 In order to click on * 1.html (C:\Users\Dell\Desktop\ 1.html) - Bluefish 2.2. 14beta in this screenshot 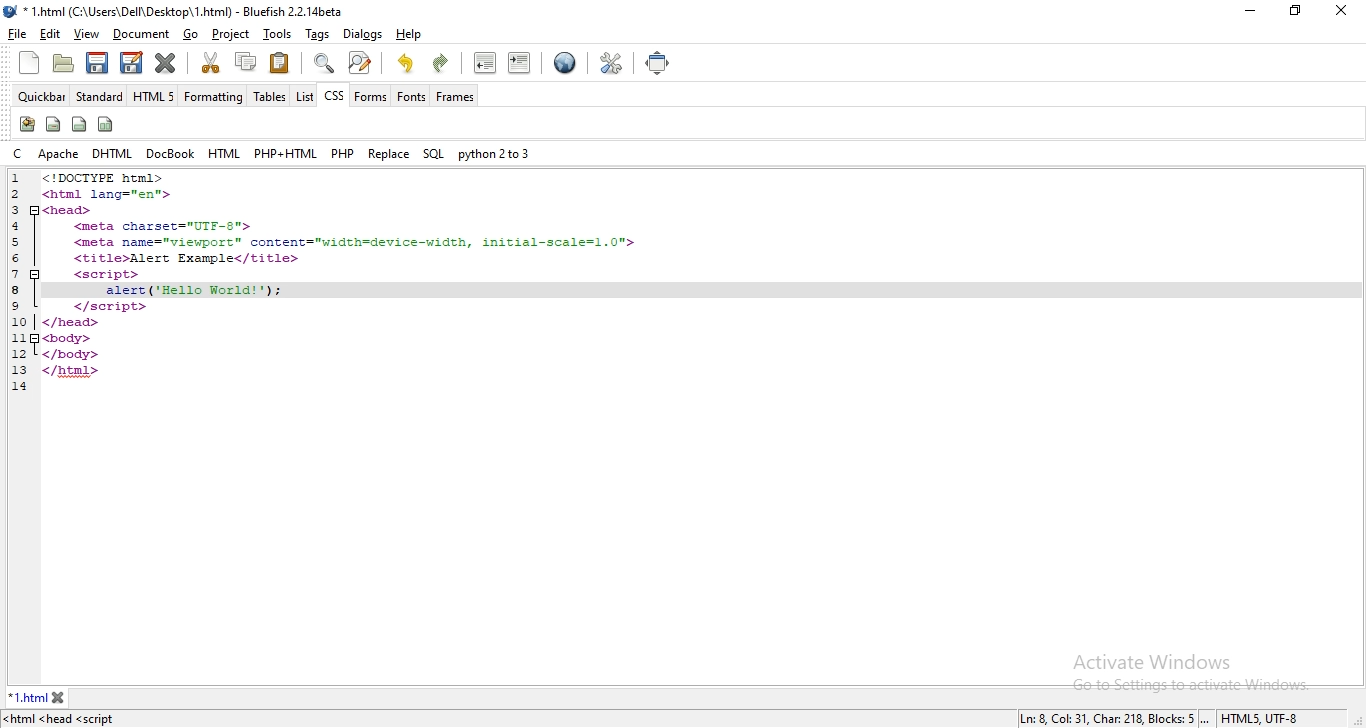, I will do `click(190, 12)`.